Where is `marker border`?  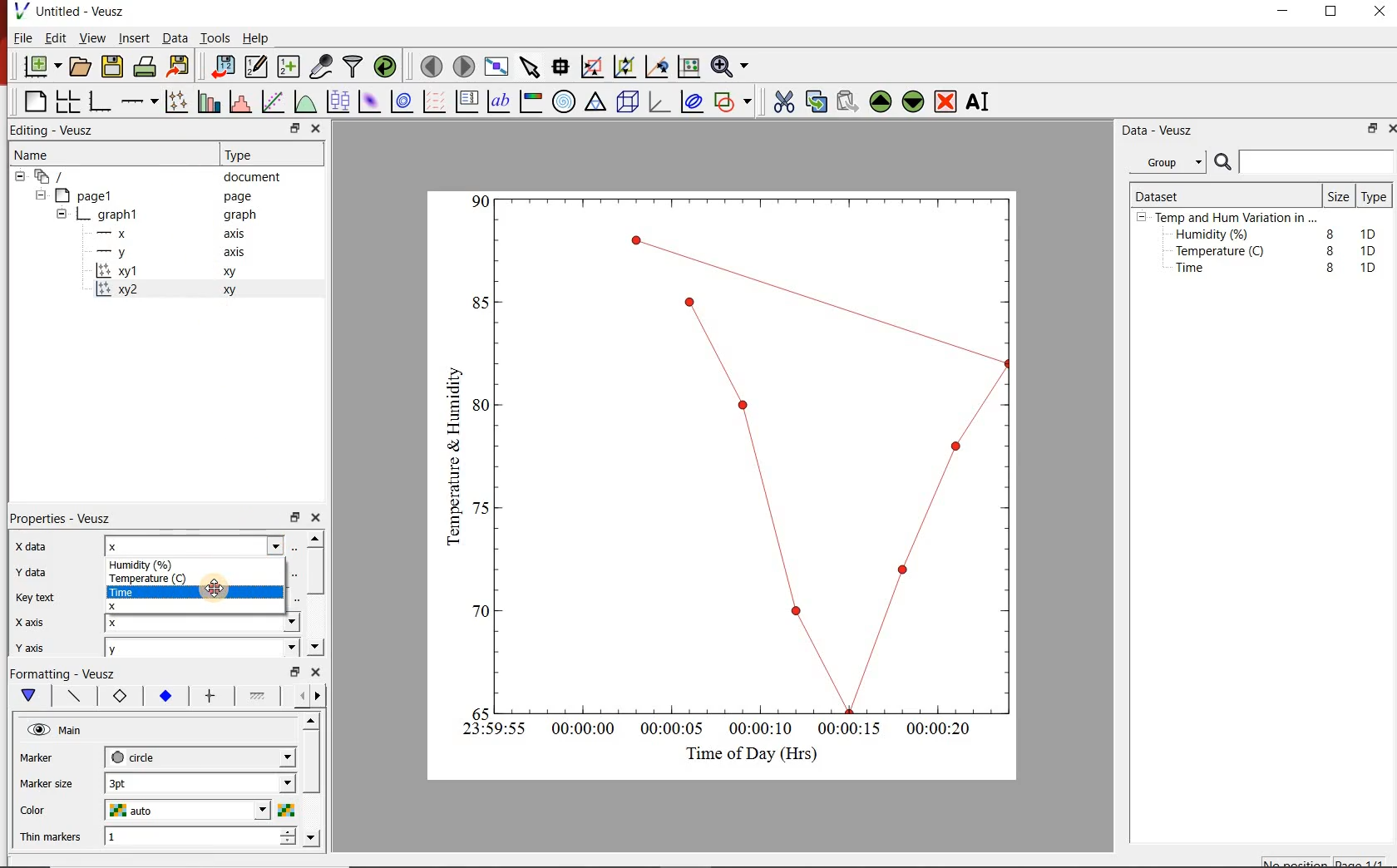 marker border is located at coordinates (121, 698).